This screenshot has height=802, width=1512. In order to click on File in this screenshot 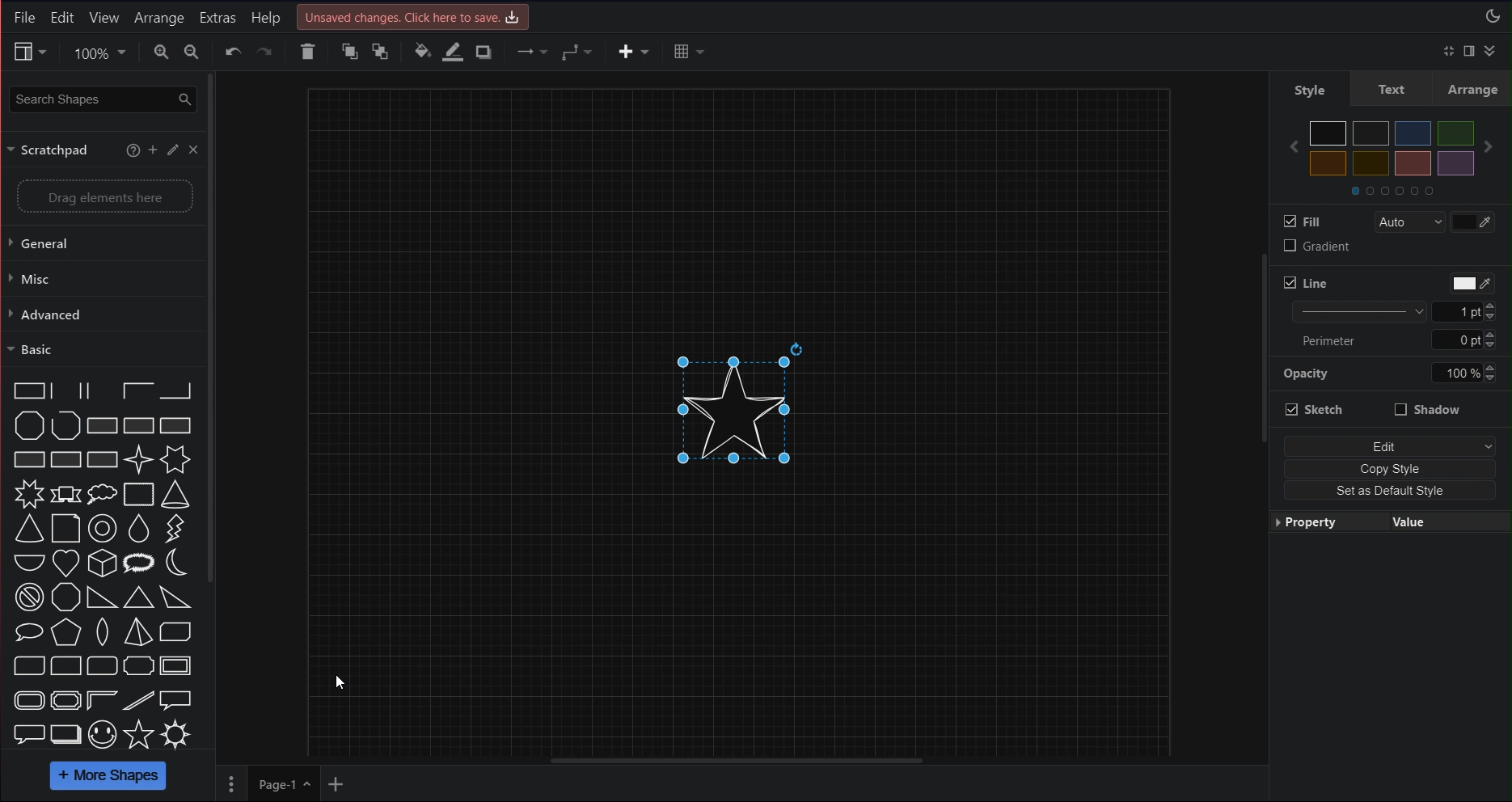, I will do `click(24, 18)`.